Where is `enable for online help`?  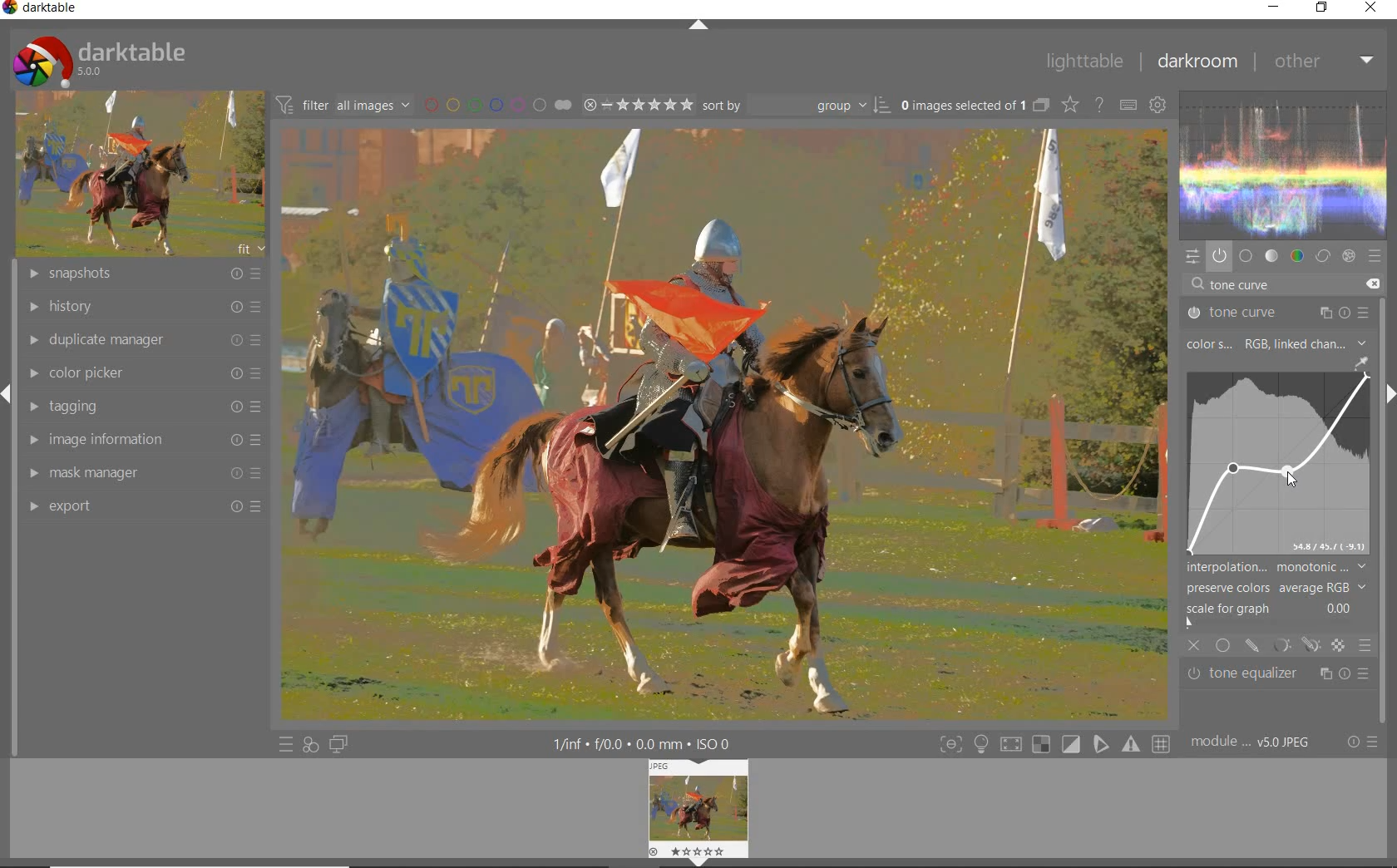 enable for online help is located at coordinates (1099, 107).